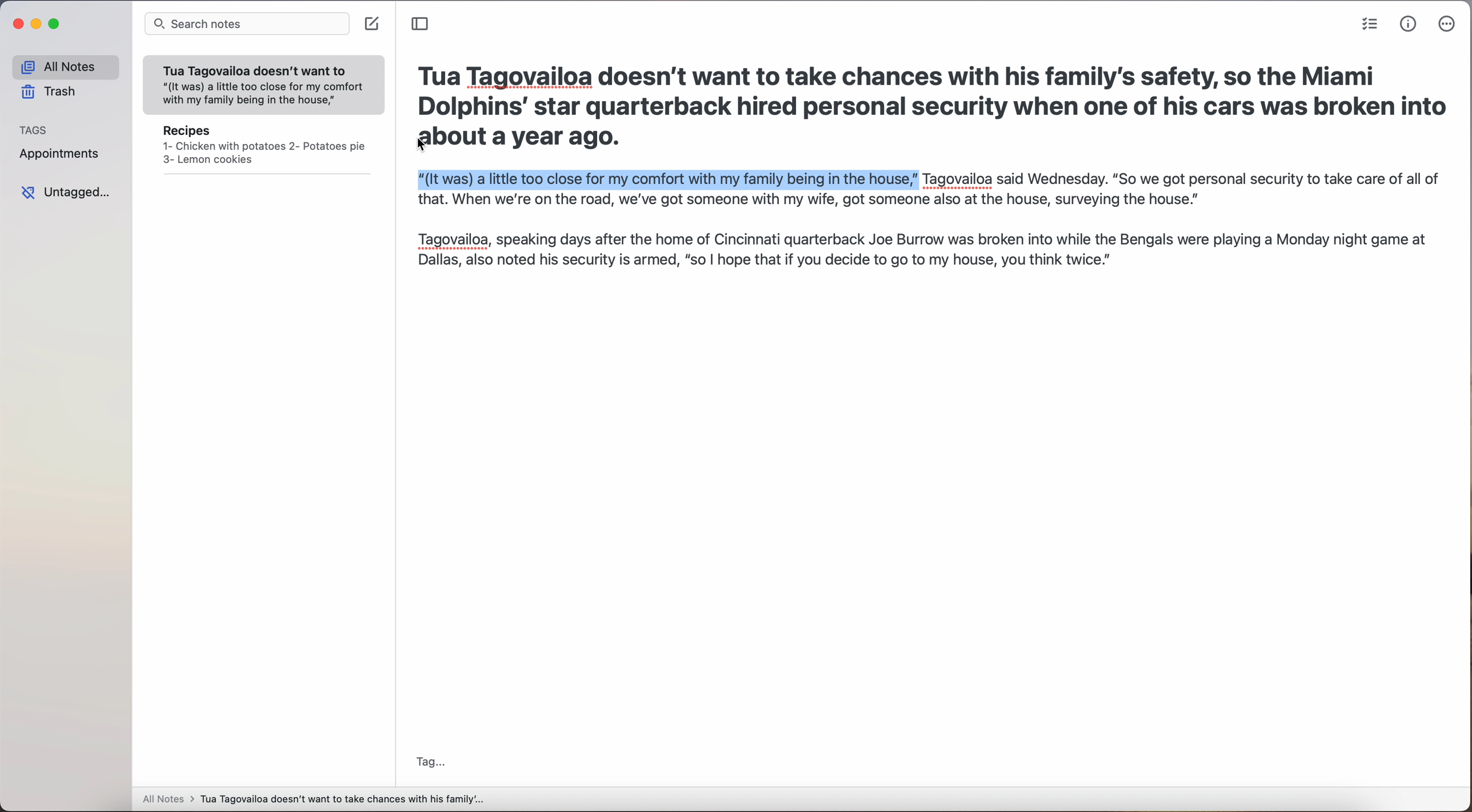 The height and width of the screenshot is (812, 1472). I want to click on enlarged typo on the body text, so click(923, 215).